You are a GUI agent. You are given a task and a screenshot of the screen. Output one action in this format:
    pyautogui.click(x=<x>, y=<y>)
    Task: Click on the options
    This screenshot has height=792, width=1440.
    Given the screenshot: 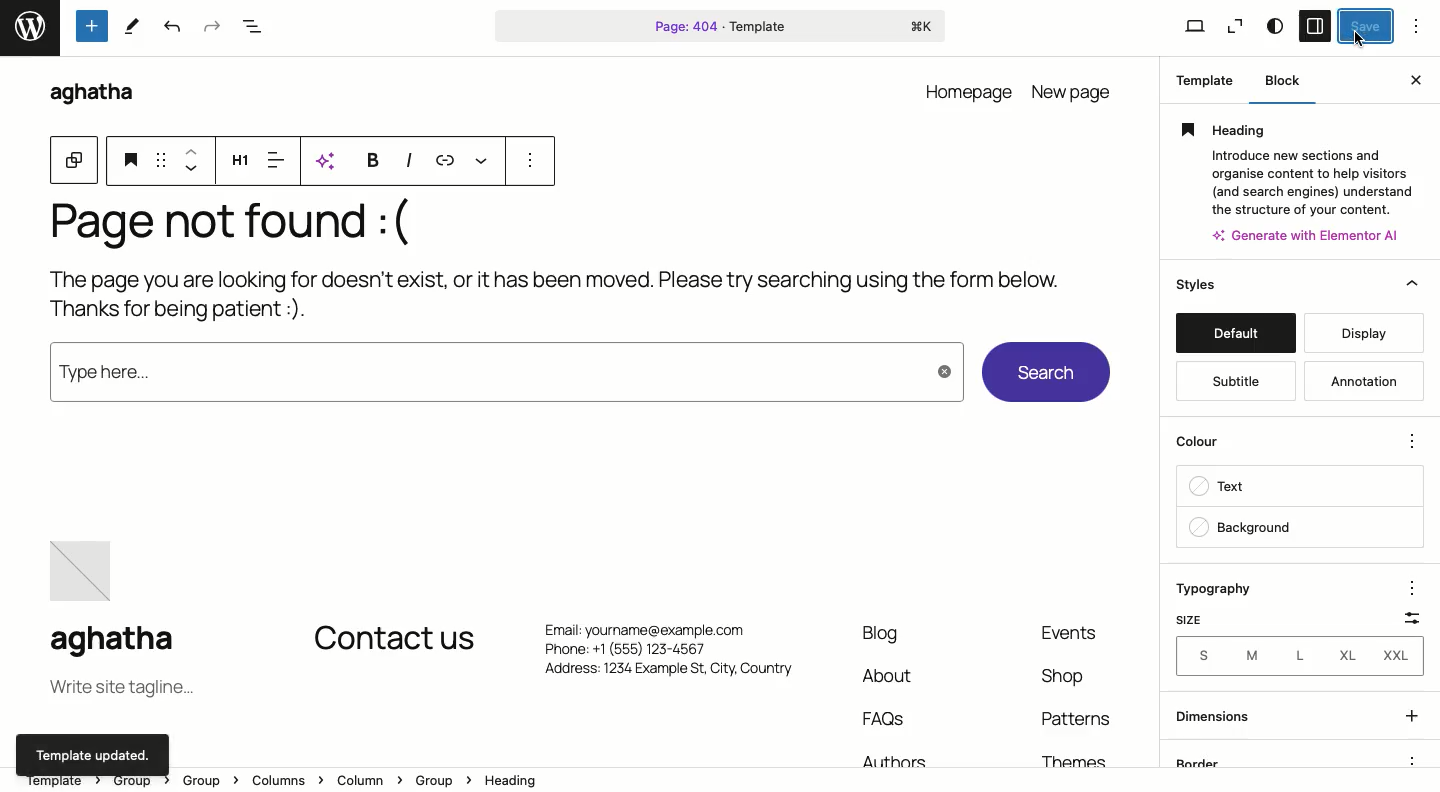 What is the action you would take?
    pyautogui.click(x=1409, y=588)
    